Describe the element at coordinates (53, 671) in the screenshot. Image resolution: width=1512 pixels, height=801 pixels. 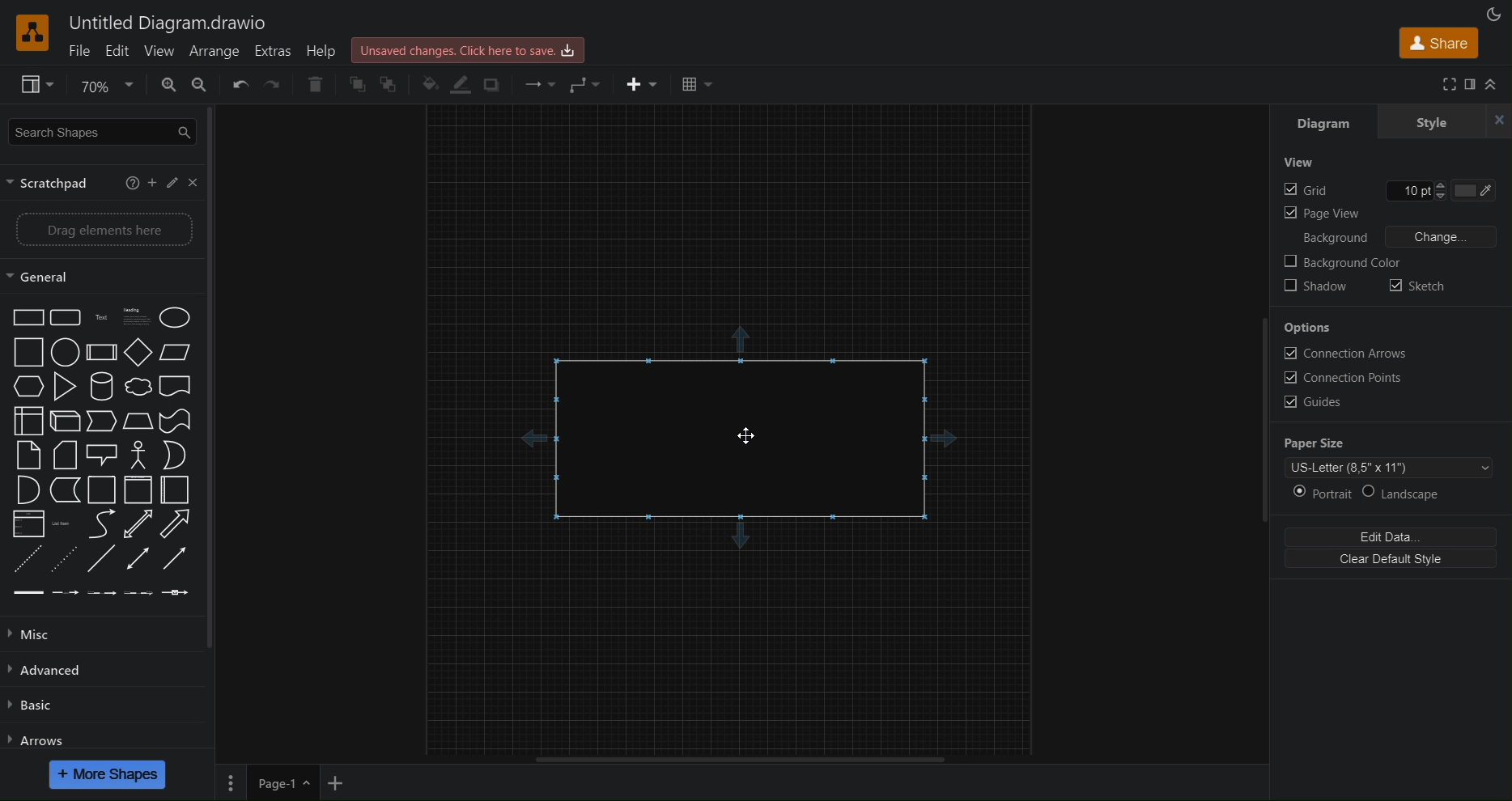
I see `Advanced` at that location.